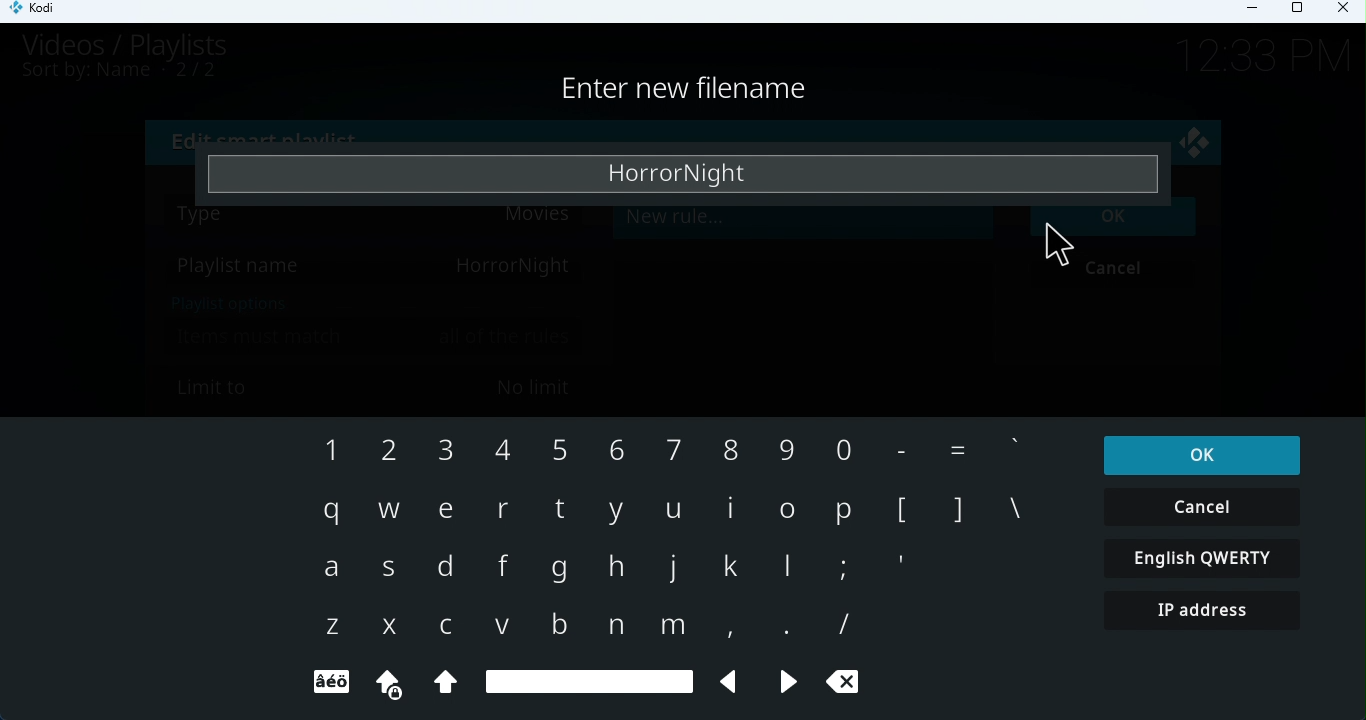  Describe the element at coordinates (1210, 613) in the screenshot. I see `IP address` at that location.